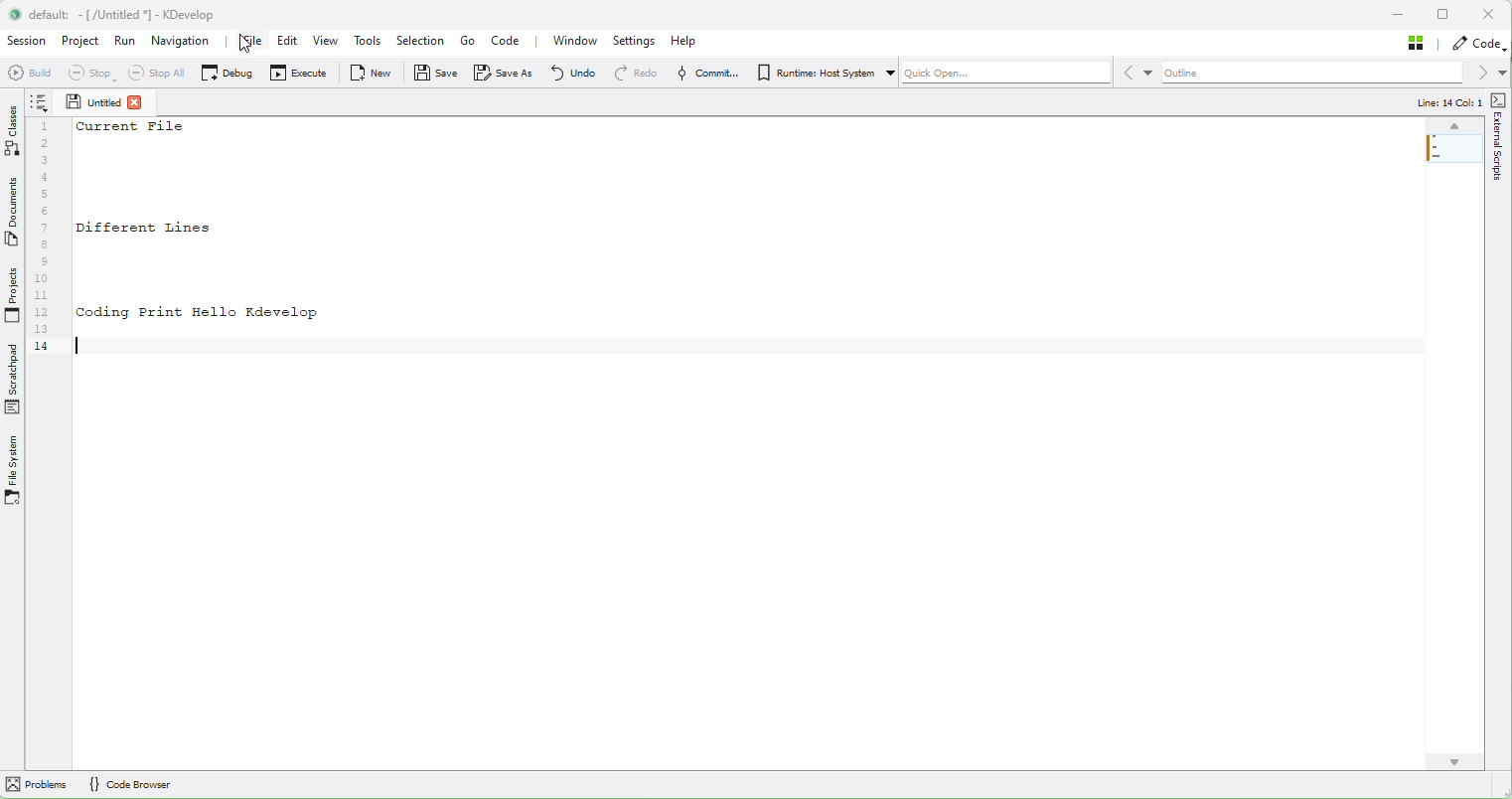 Image resolution: width=1512 pixels, height=799 pixels. What do you see at coordinates (1453, 762) in the screenshot?
I see `down` at bounding box center [1453, 762].